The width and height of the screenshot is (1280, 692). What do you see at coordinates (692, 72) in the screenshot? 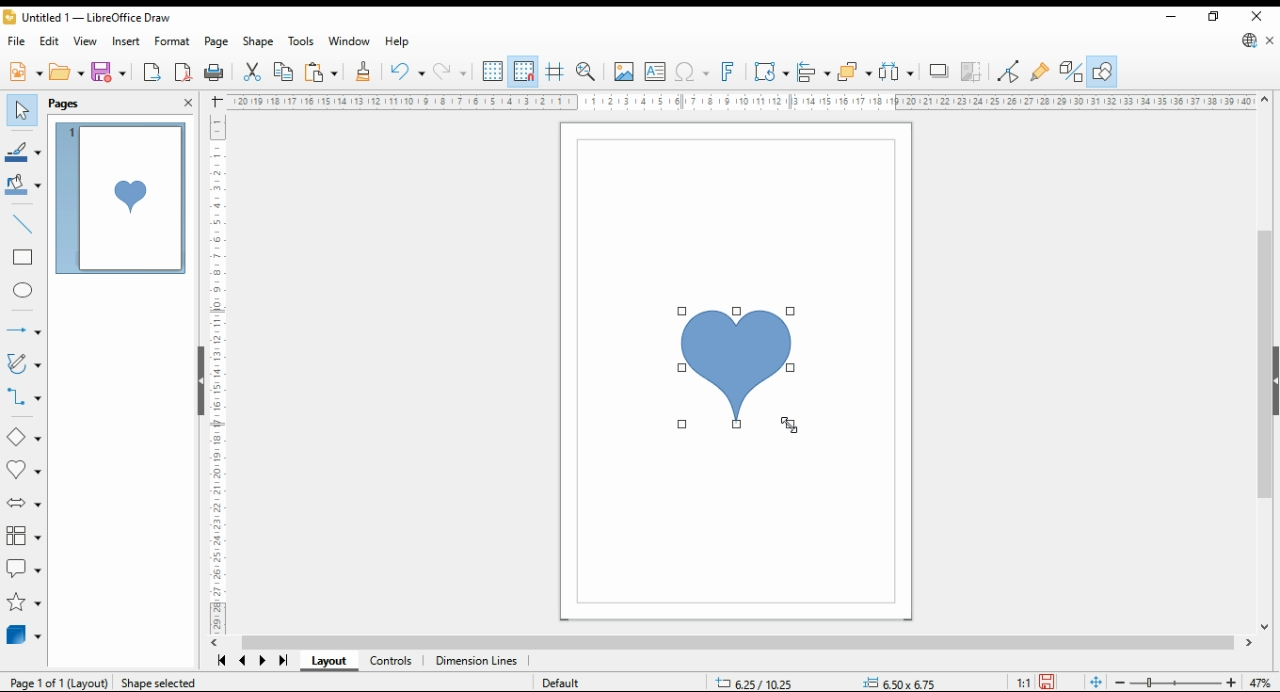
I see `insert special symbol` at bounding box center [692, 72].